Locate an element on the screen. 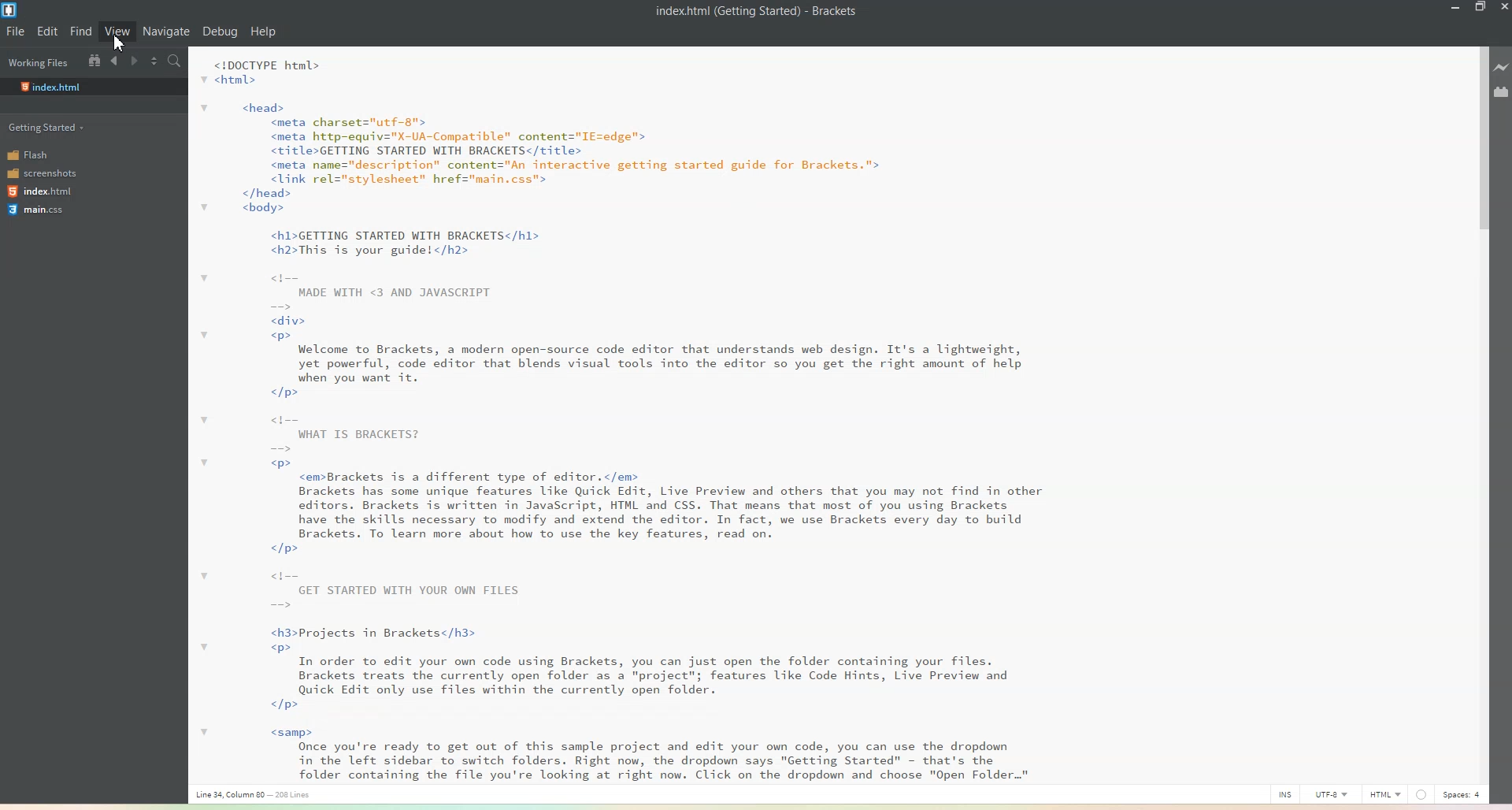 This screenshot has width=1512, height=810. Working Files is located at coordinates (41, 63).